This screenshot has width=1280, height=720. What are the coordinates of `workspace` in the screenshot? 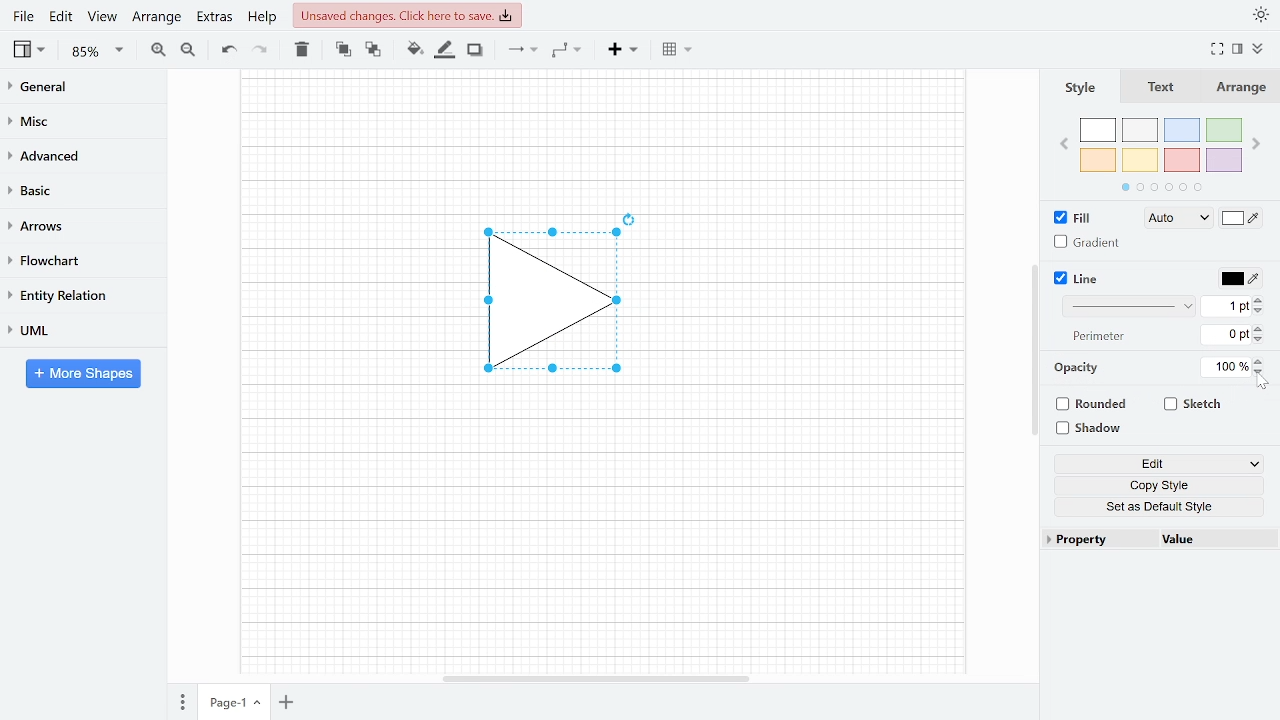 It's located at (819, 302).